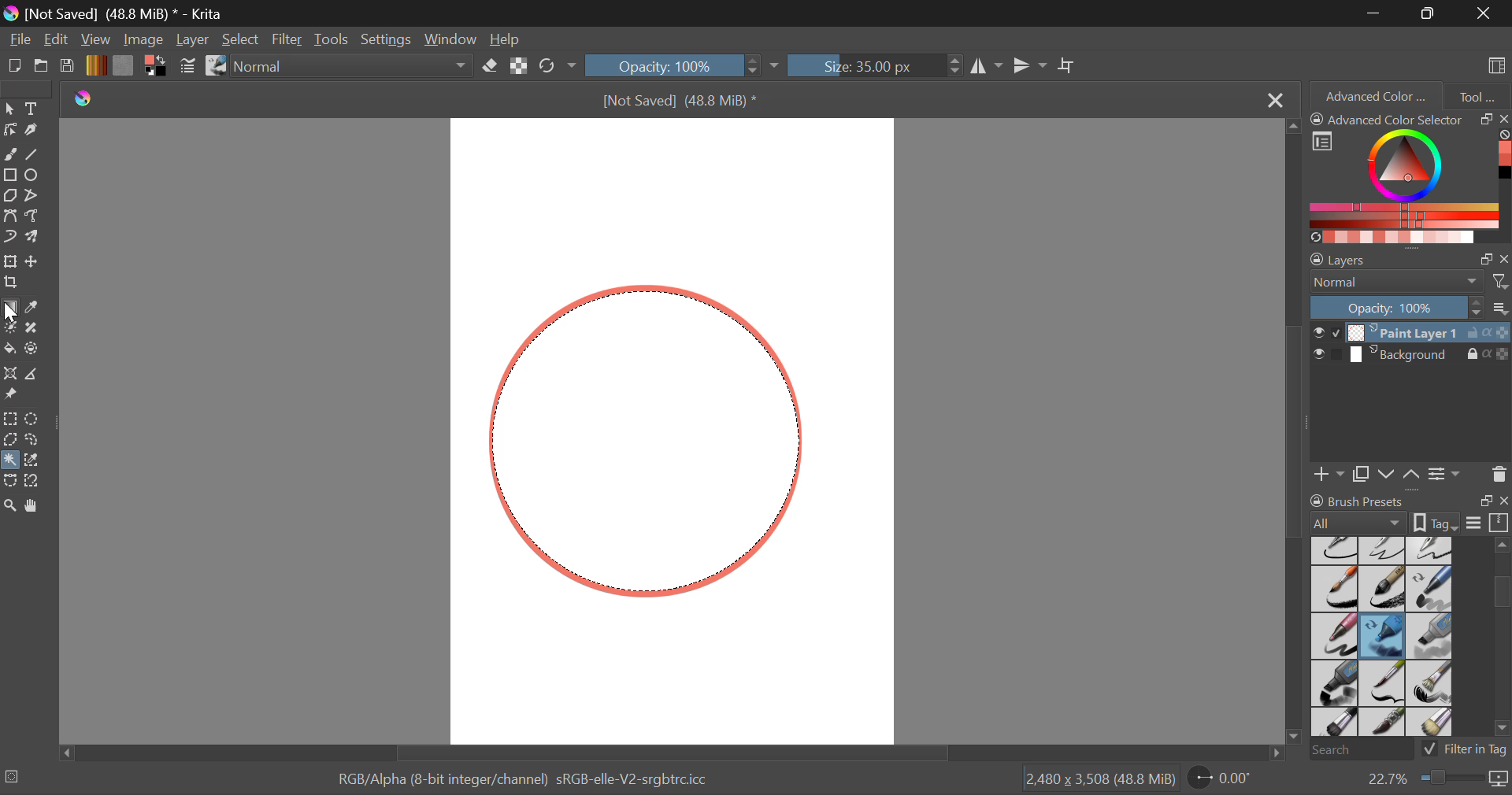 This screenshot has width=1512, height=795. What do you see at coordinates (34, 376) in the screenshot?
I see `Measure Images` at bounding box center [34, 376].